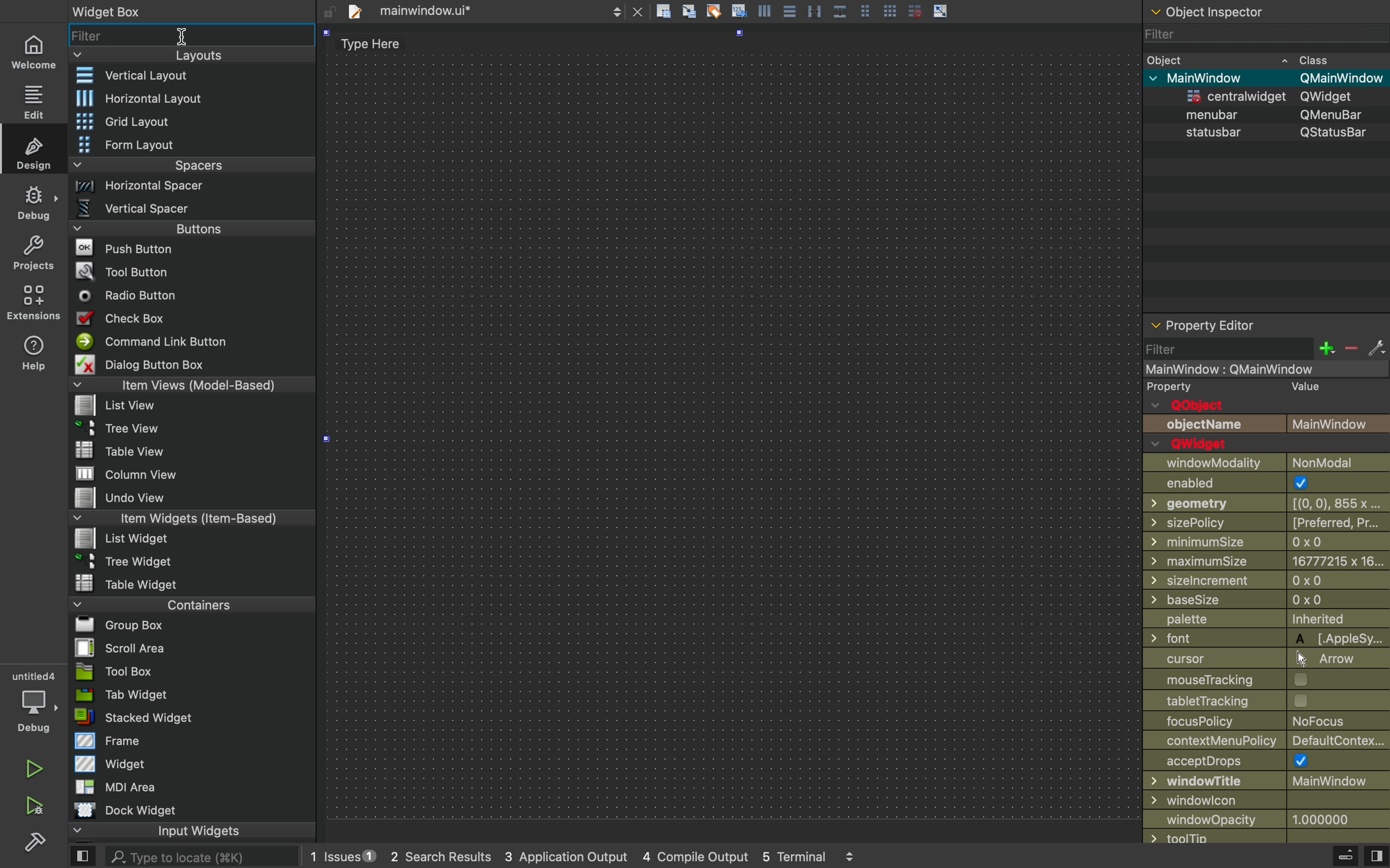 The width and height of the screenshot is (1390, 868). Describe the element at coordinates (791, 13) in the screenshot. I see `Pages` at that location.